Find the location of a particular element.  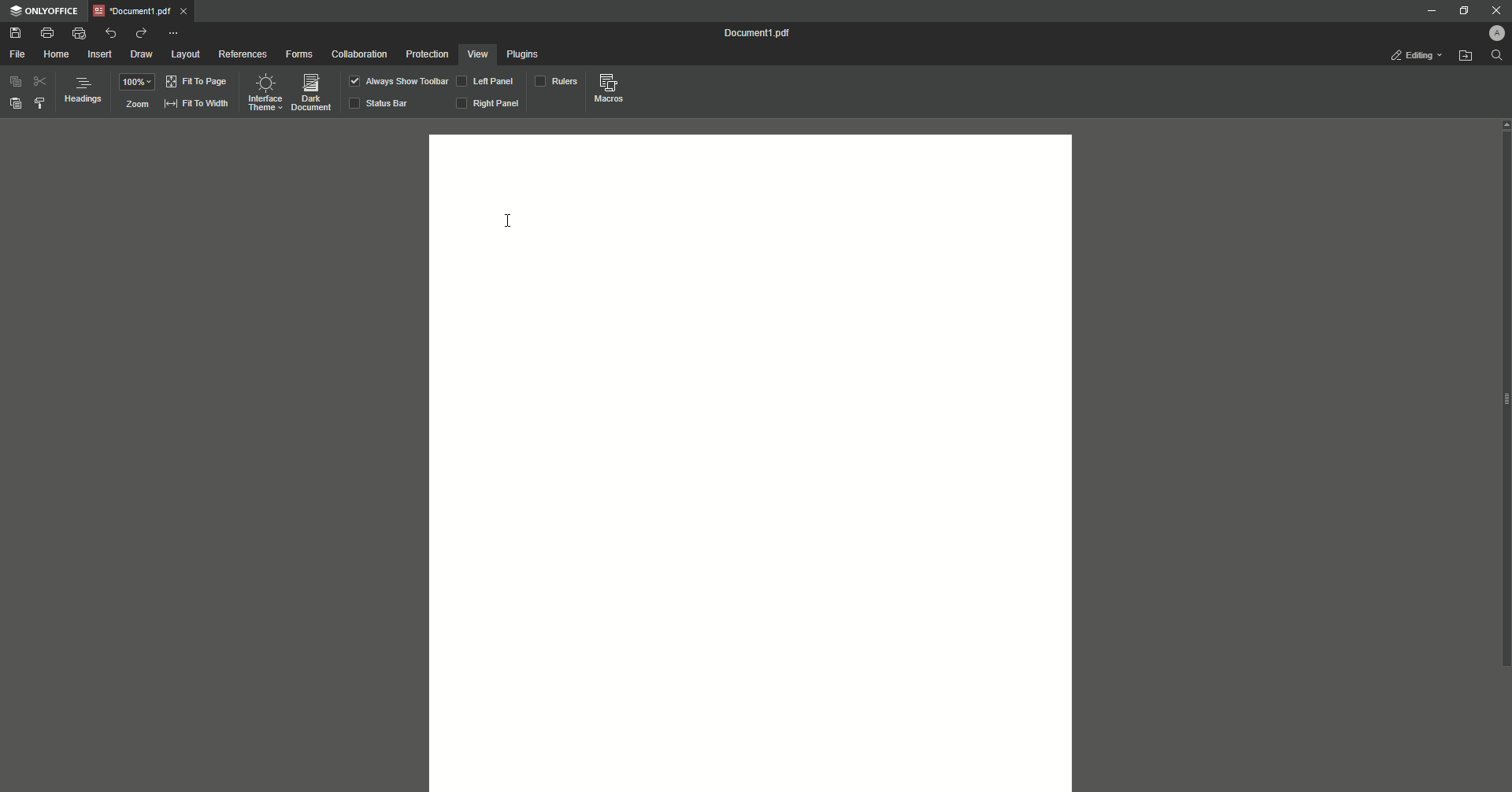

Styles is located at coordinates (39, 103).